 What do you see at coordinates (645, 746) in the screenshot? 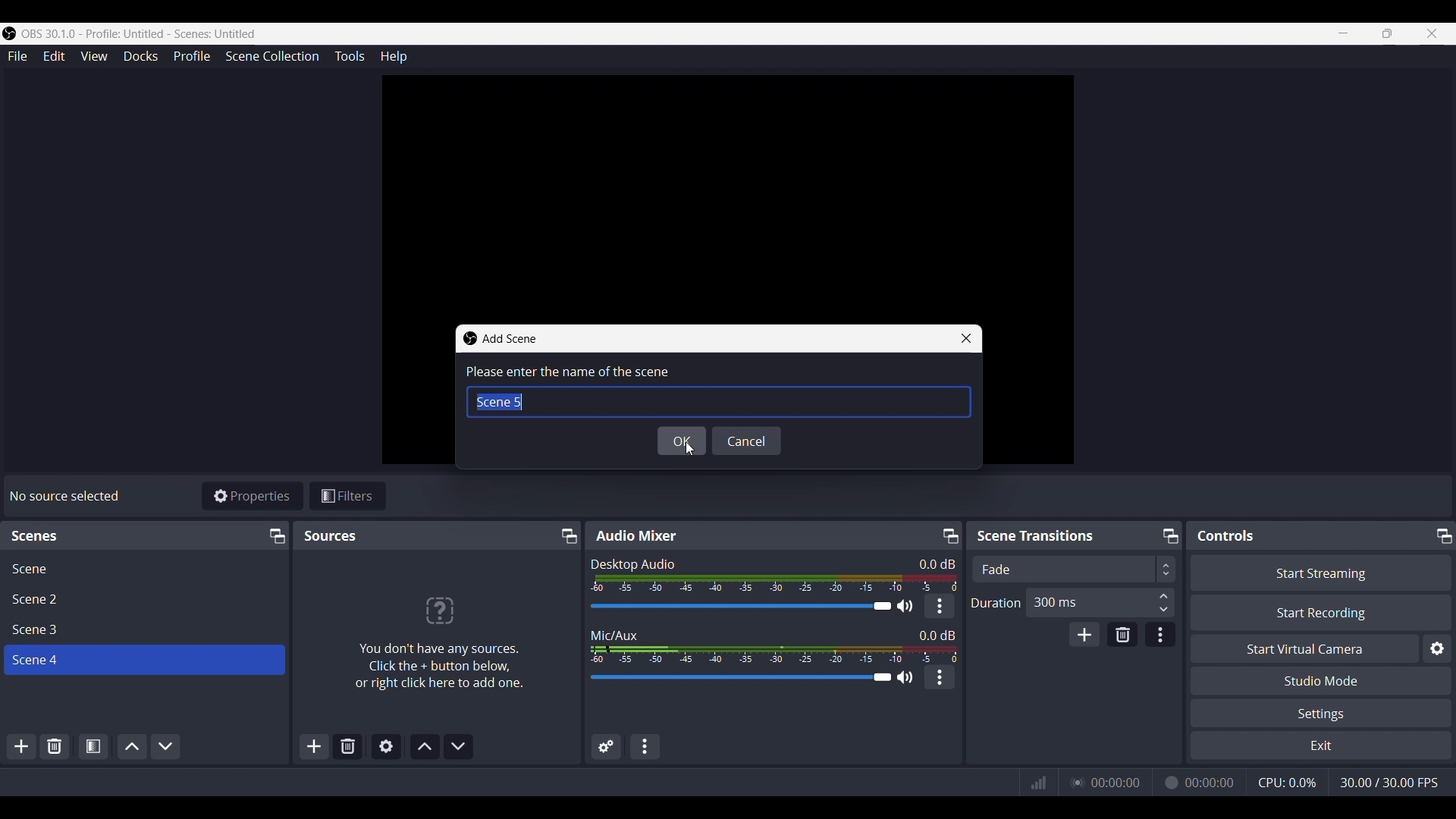
I see `Audio Mixer Menu` at bounding box center [645, 746].